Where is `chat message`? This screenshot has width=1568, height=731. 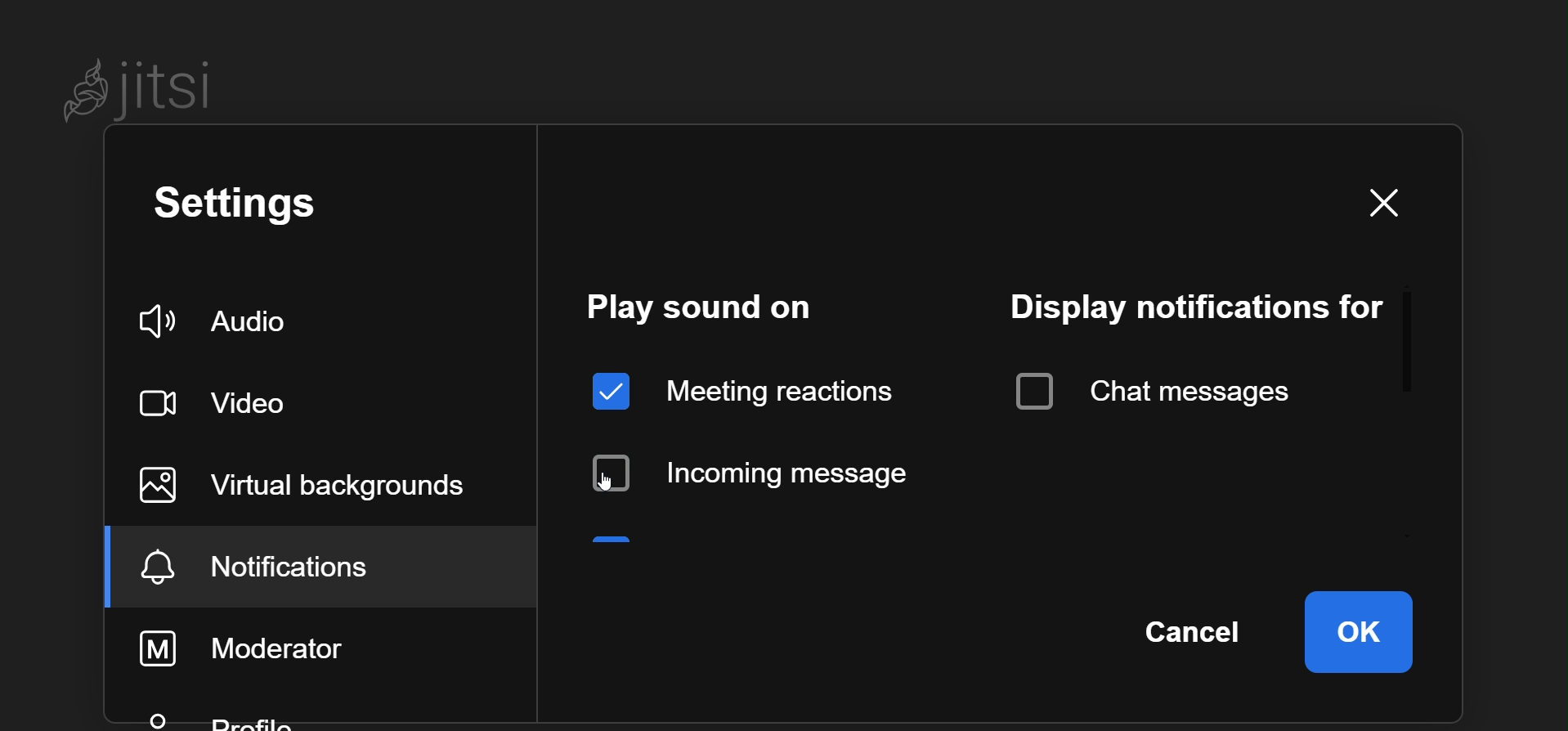
chat message is located at coordinates (1158, 385).